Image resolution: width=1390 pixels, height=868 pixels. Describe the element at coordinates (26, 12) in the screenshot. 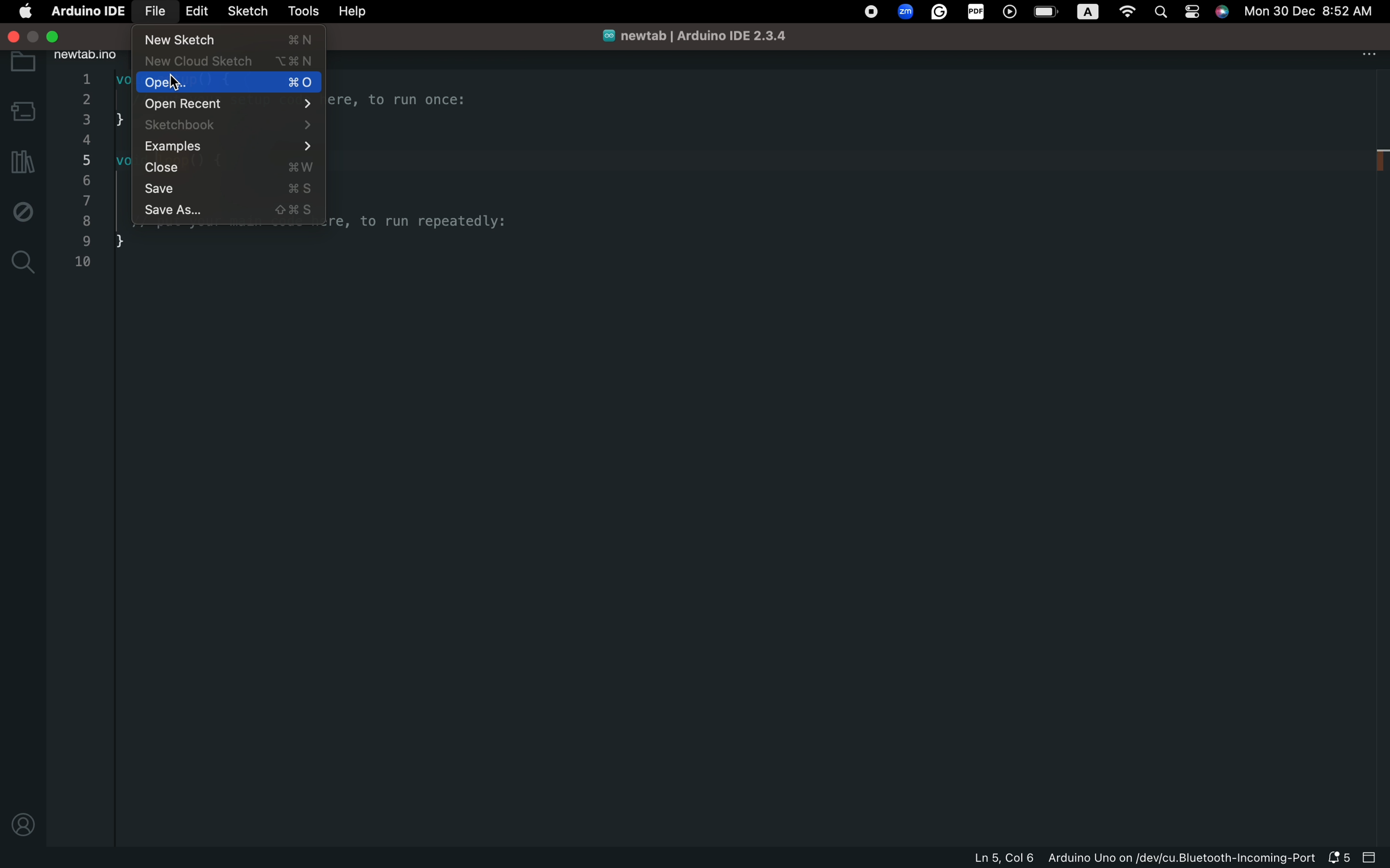

I see `main setting` at that location.